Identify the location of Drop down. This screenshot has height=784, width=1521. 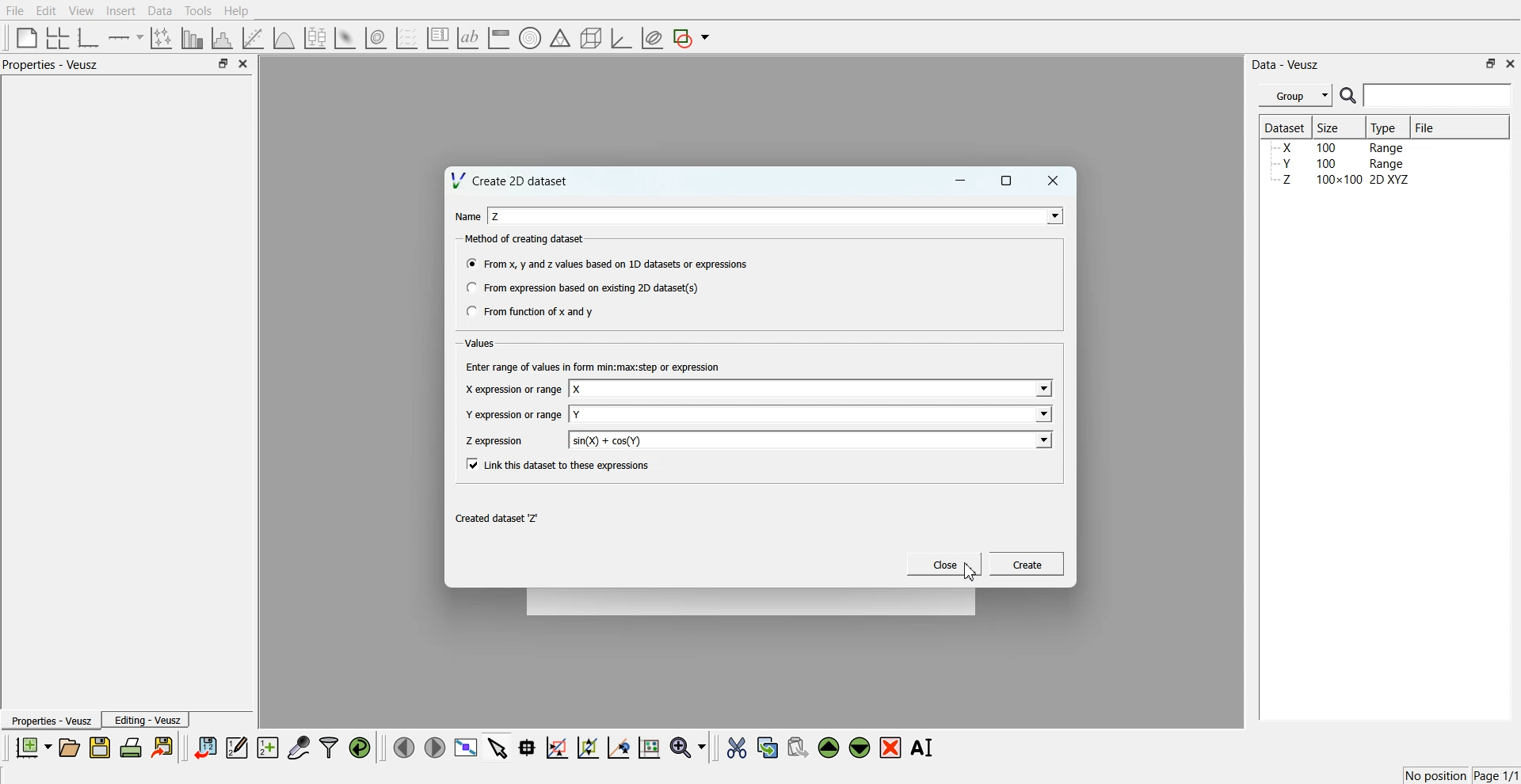
(1042, 413).